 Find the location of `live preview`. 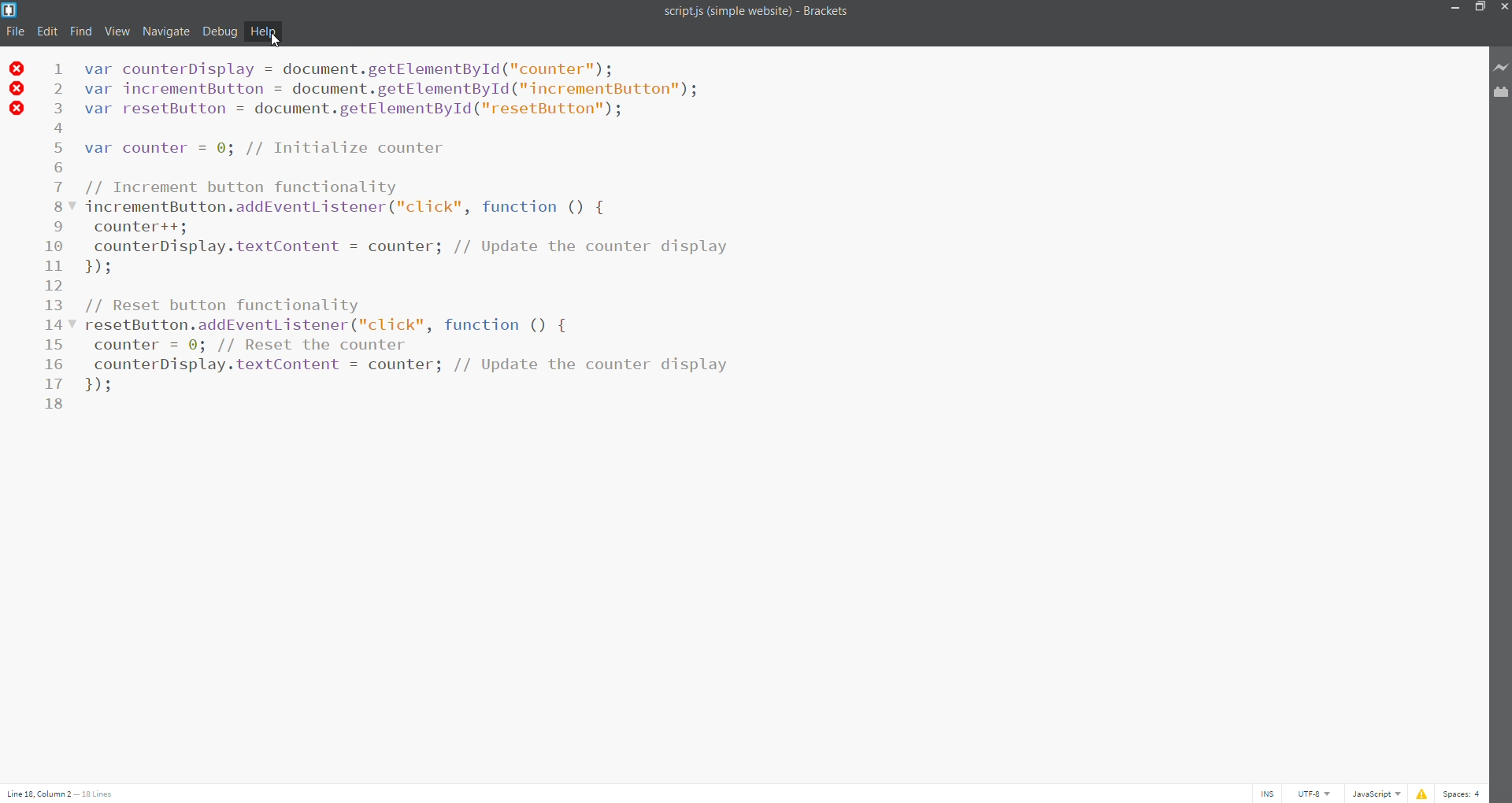

live preview is located at coordinates (1499, 67).